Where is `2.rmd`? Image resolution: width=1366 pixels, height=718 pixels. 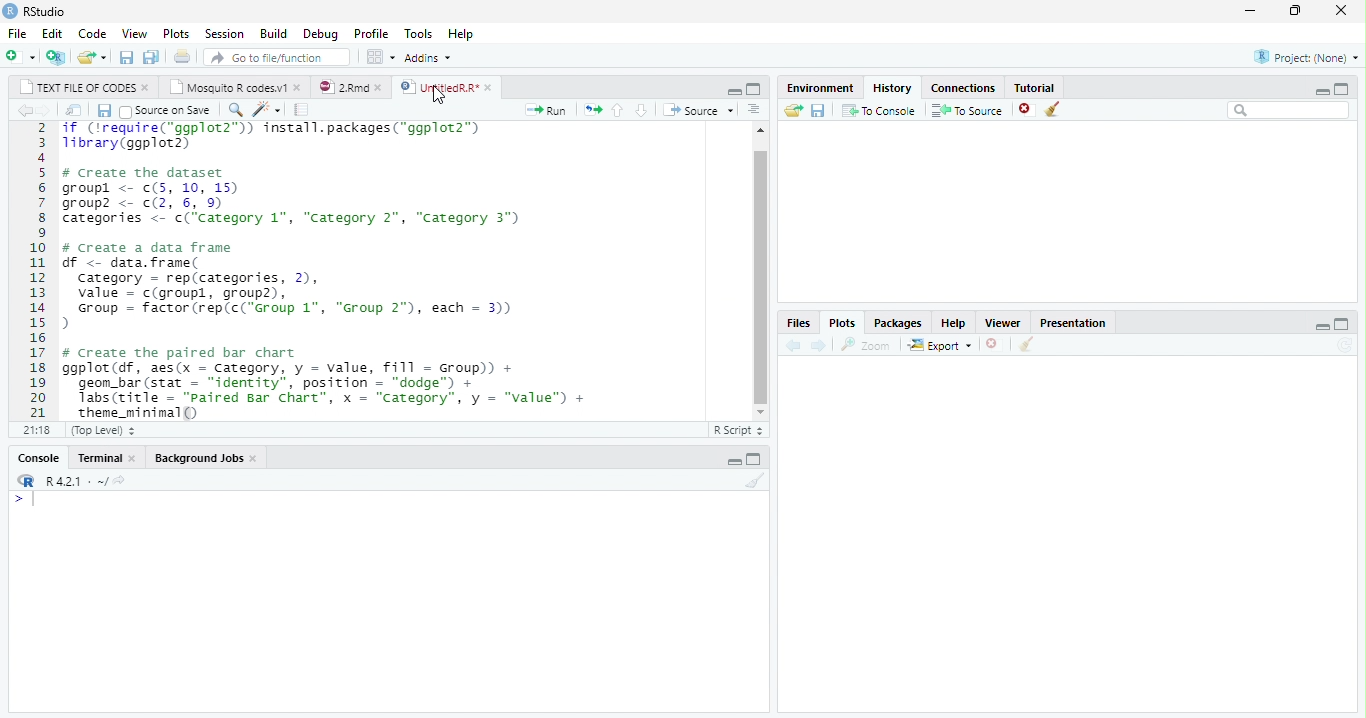 2.rmd is located at coordinates (344, 87).